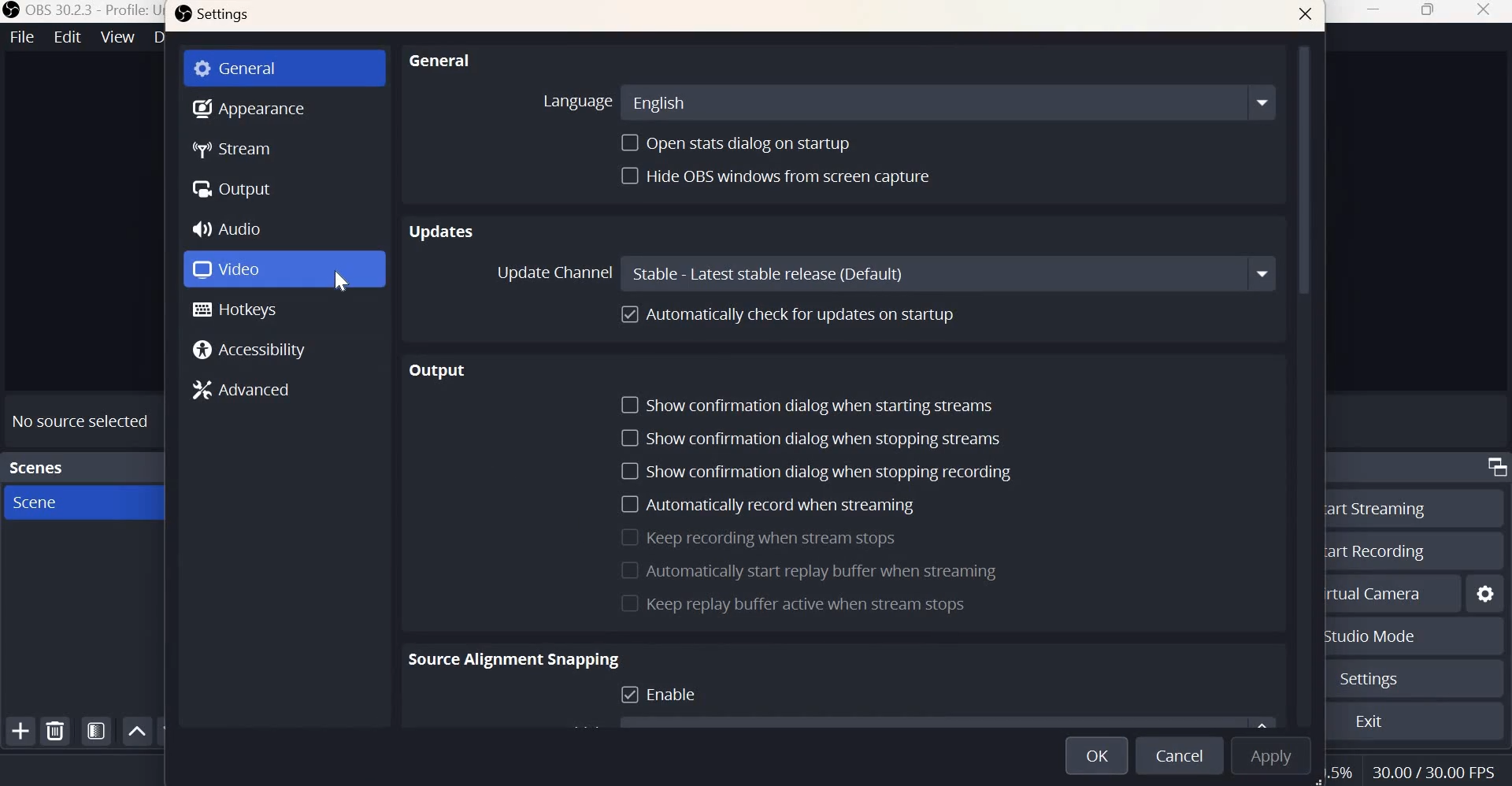 The width and height of the screenshot is (1512, 786). Describe the element at coordinates (118, 38) in the screenshot. I see `View` at that location.